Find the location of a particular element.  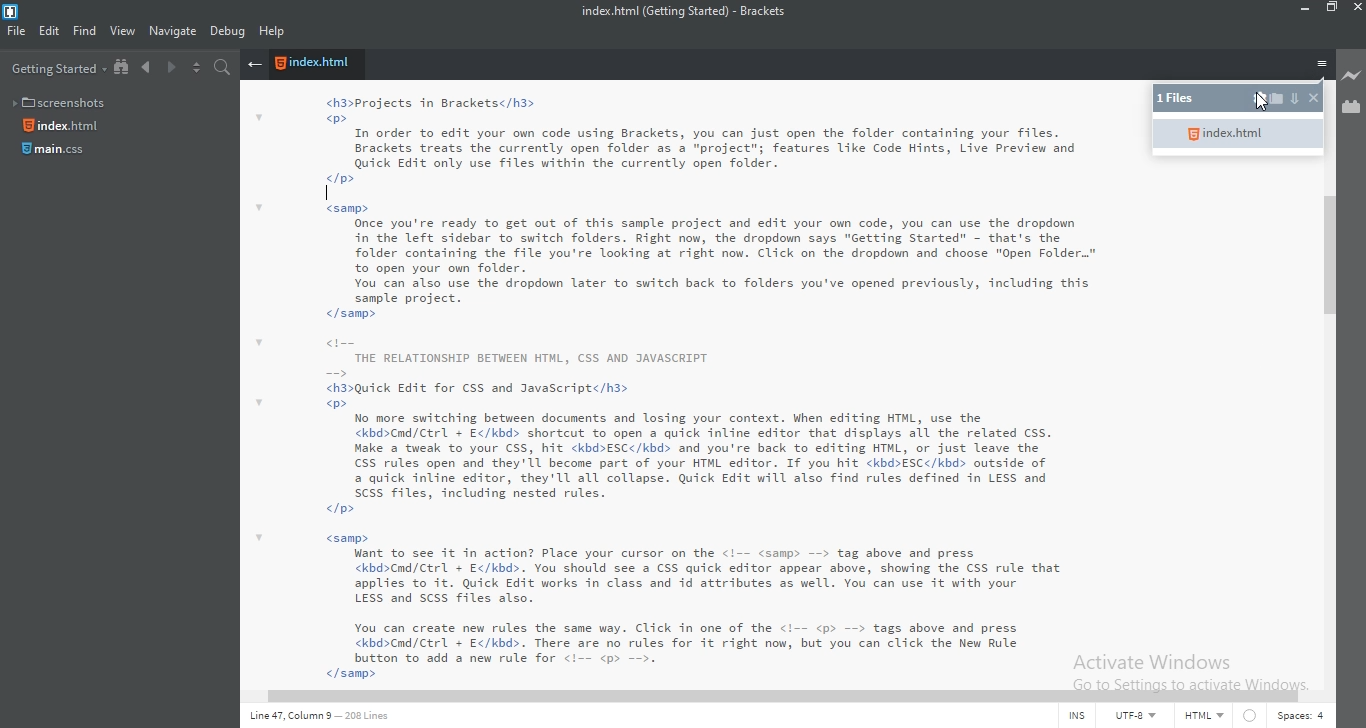

Previous document is located at coordinates (148, 68).